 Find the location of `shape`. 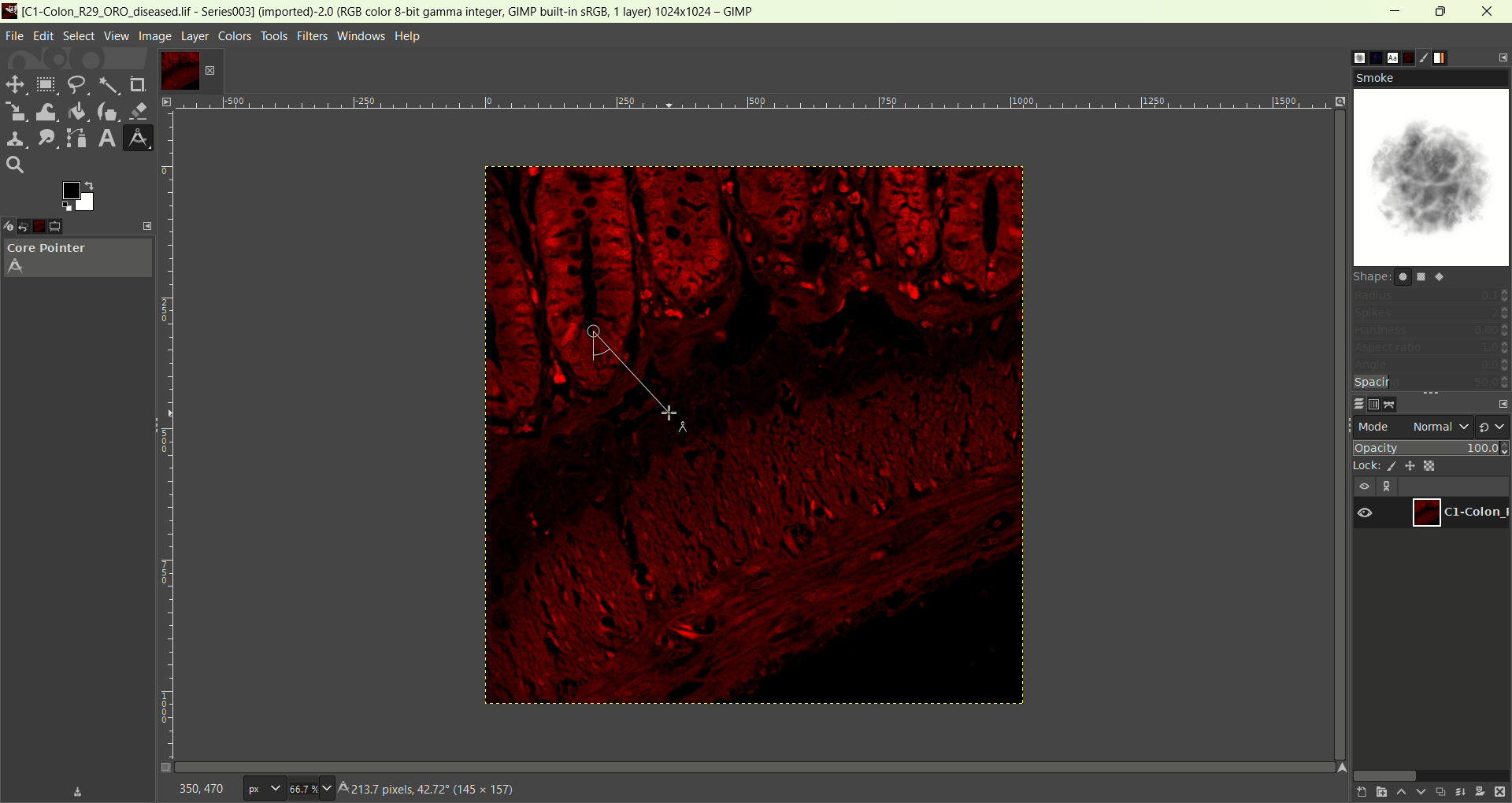

shape is located at coordinates (1403, 276).